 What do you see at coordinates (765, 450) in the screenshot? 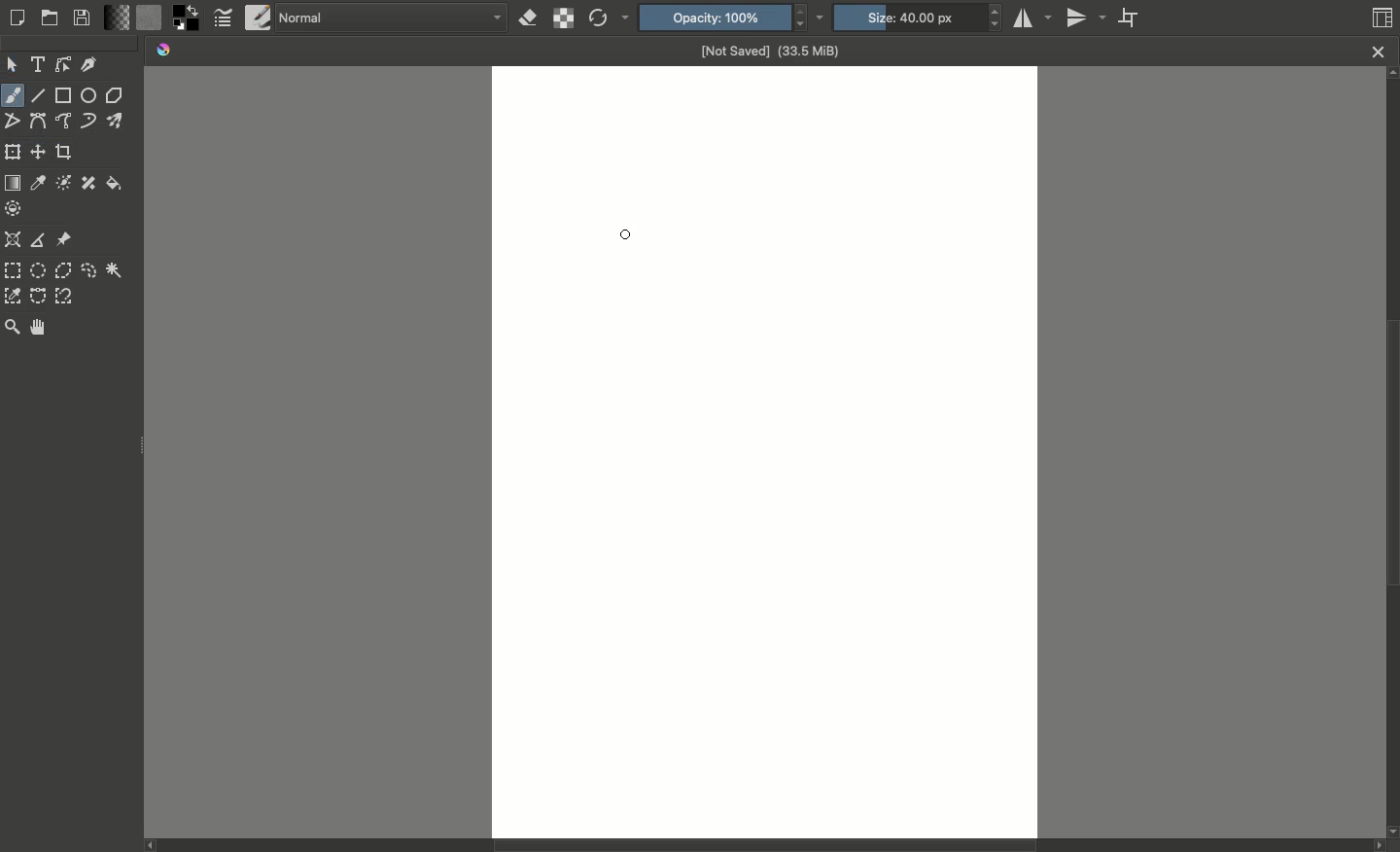
I see `Canvas` at bounding box center [765, 450].